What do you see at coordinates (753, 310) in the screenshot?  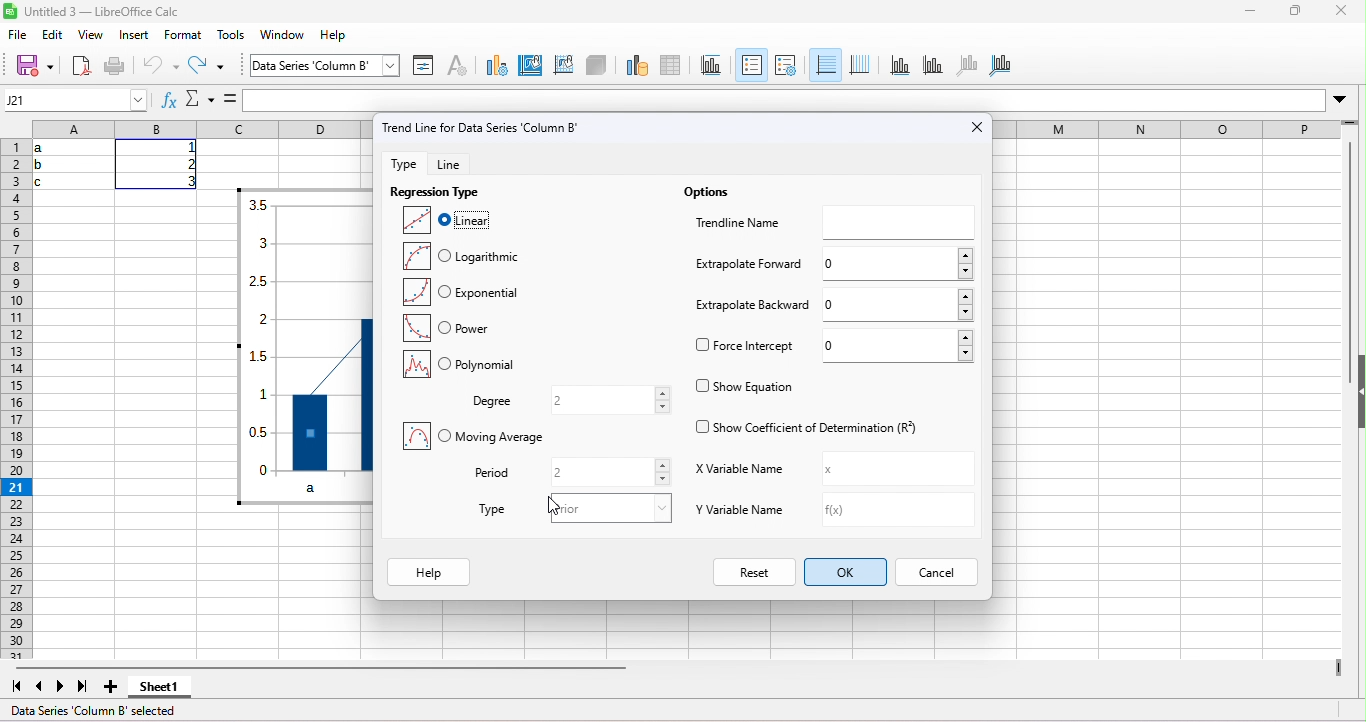 I see `expolate backward` at bounding box center [753, 310].